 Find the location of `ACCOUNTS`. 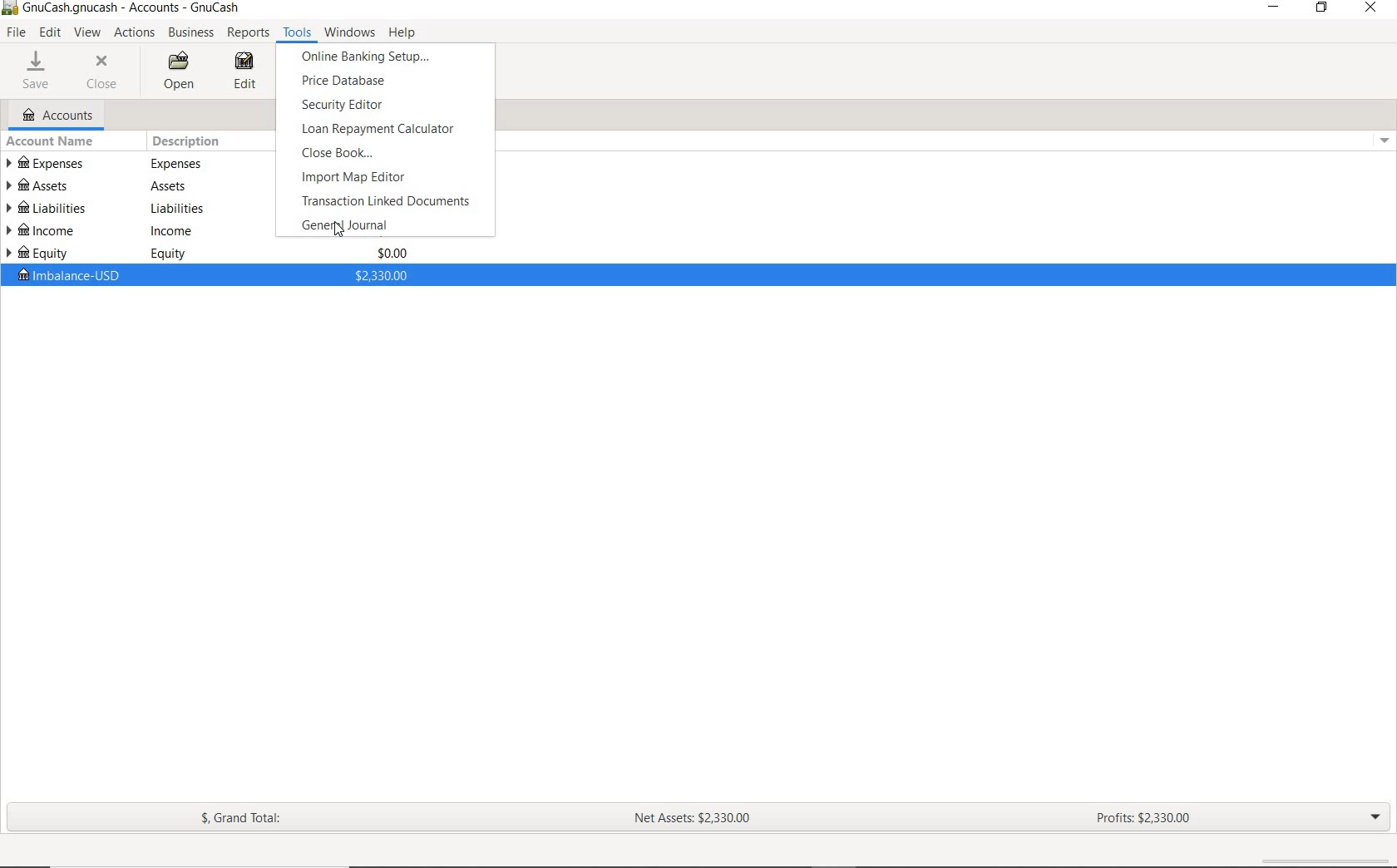

ACCOUNTS is located at coordinates (56, 116).